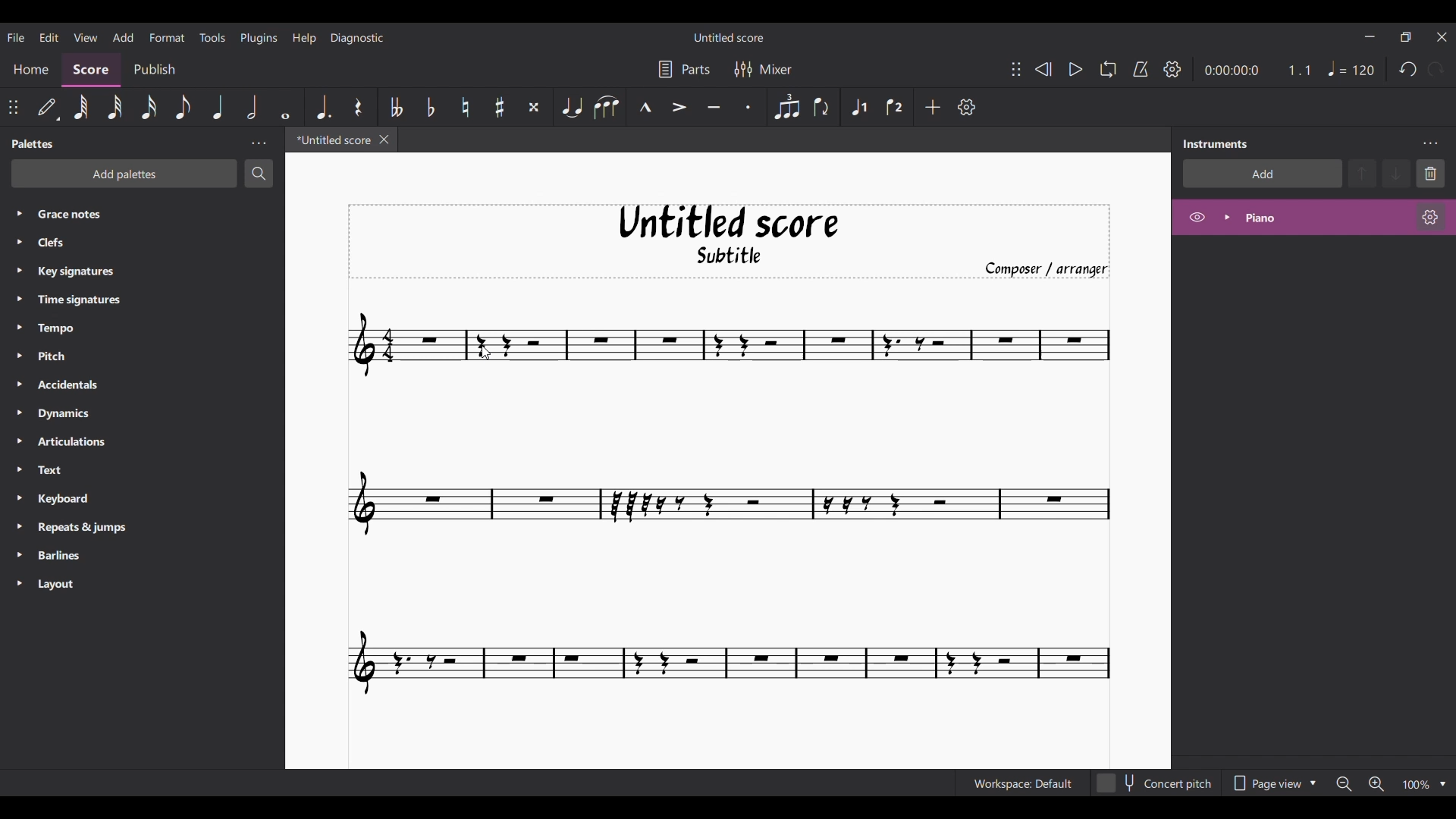 The image size is (1456, 819). I want to click on Add palettes, so click(124, 174).